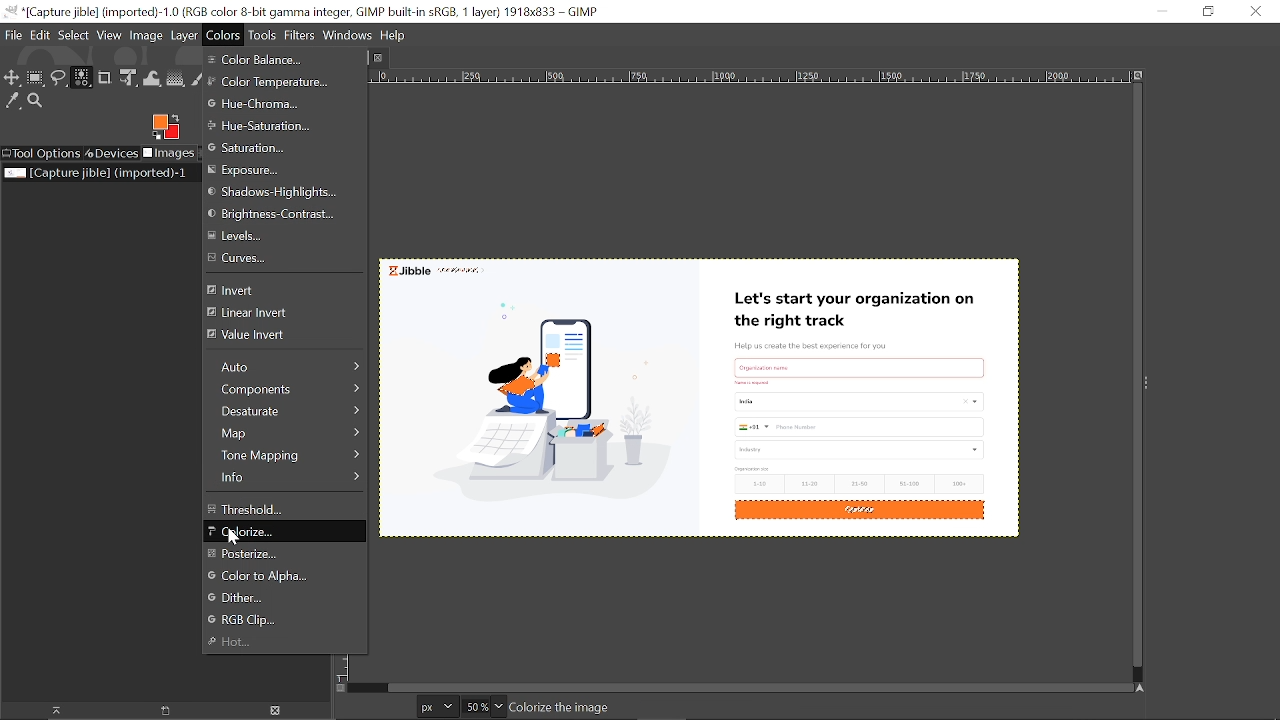 Image resolution: width=1280 pixels, height=720 pixels. What do you see at coordinates (474, 707) in the screenshot?
I see `Current zoom` at bounding box center [474, 707].